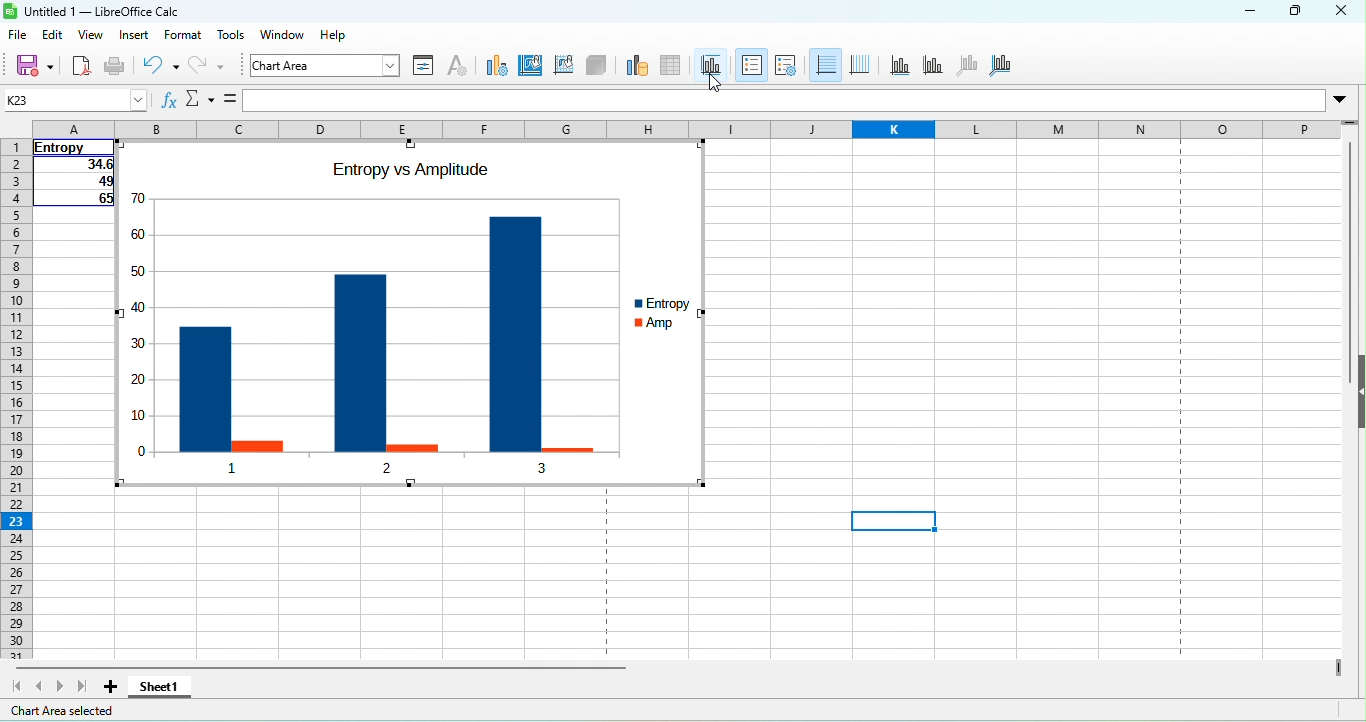 The image size is (1366, 722). What do you see at coordinates (91, 36) in the screenshot?
I see `view` at bounding box center [91, 36].